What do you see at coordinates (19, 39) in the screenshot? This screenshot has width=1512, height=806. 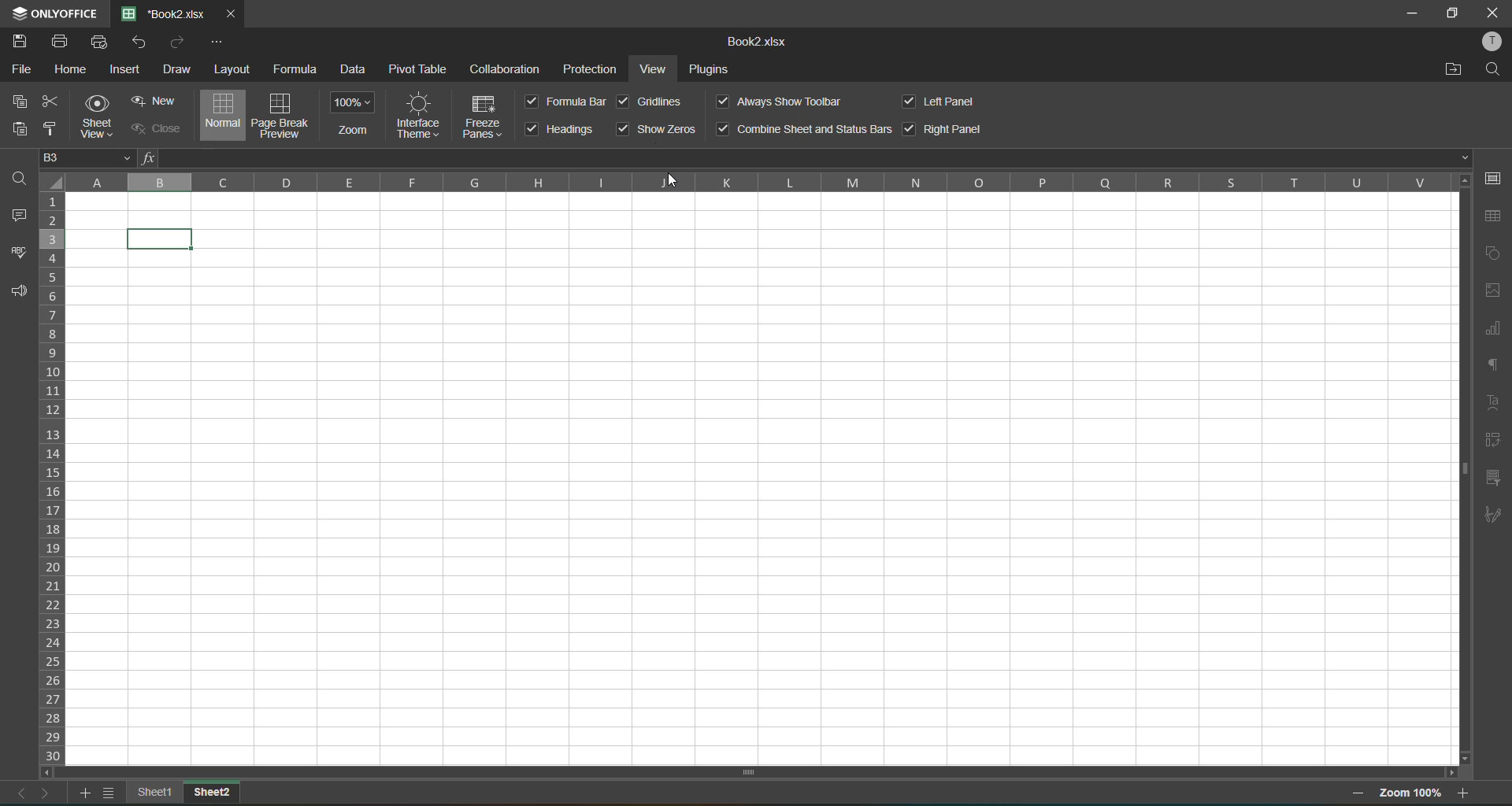 I see `save` at bounding box center [19, 39].